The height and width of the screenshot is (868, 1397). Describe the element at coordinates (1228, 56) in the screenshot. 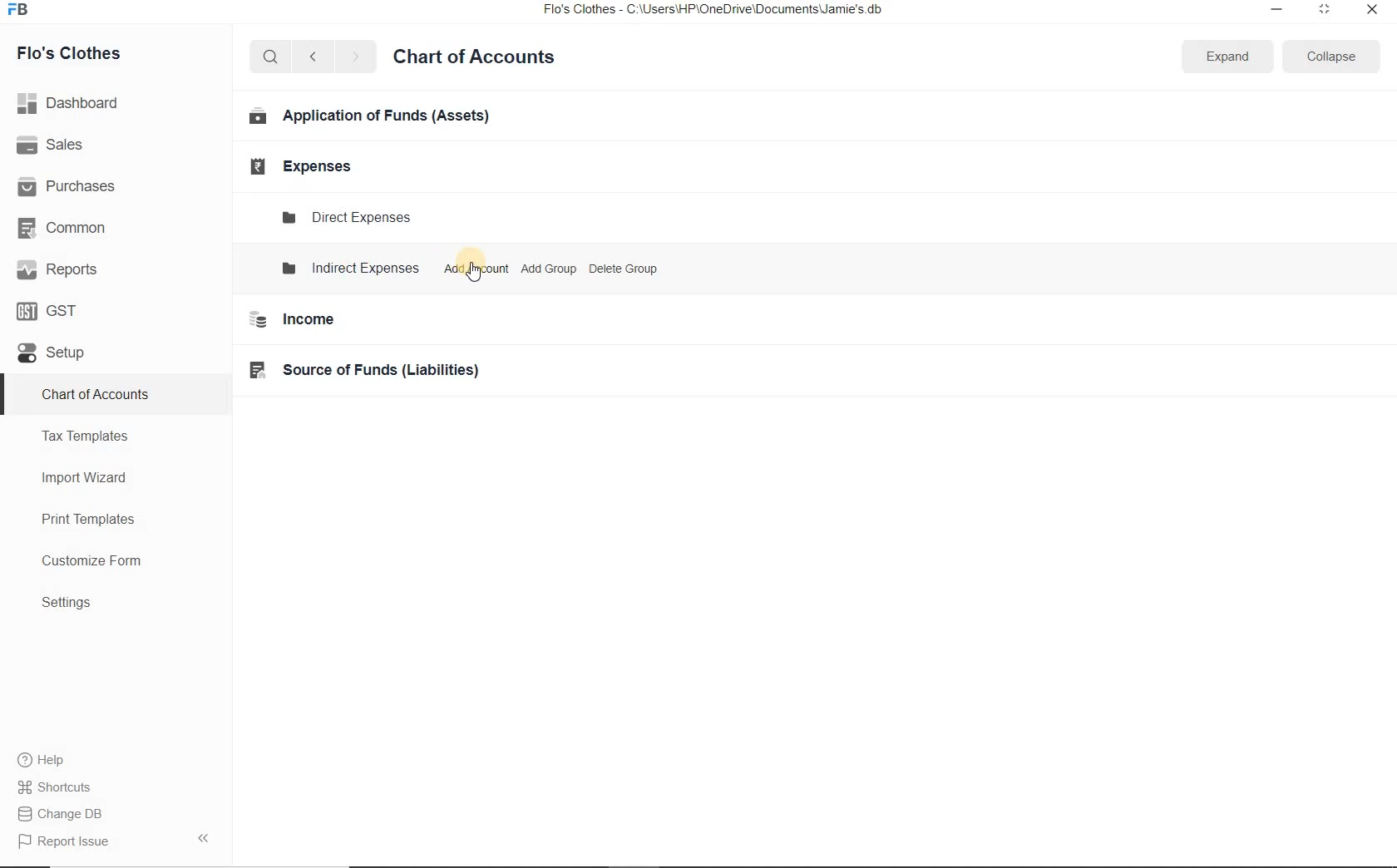

I see `Expand` at that location.